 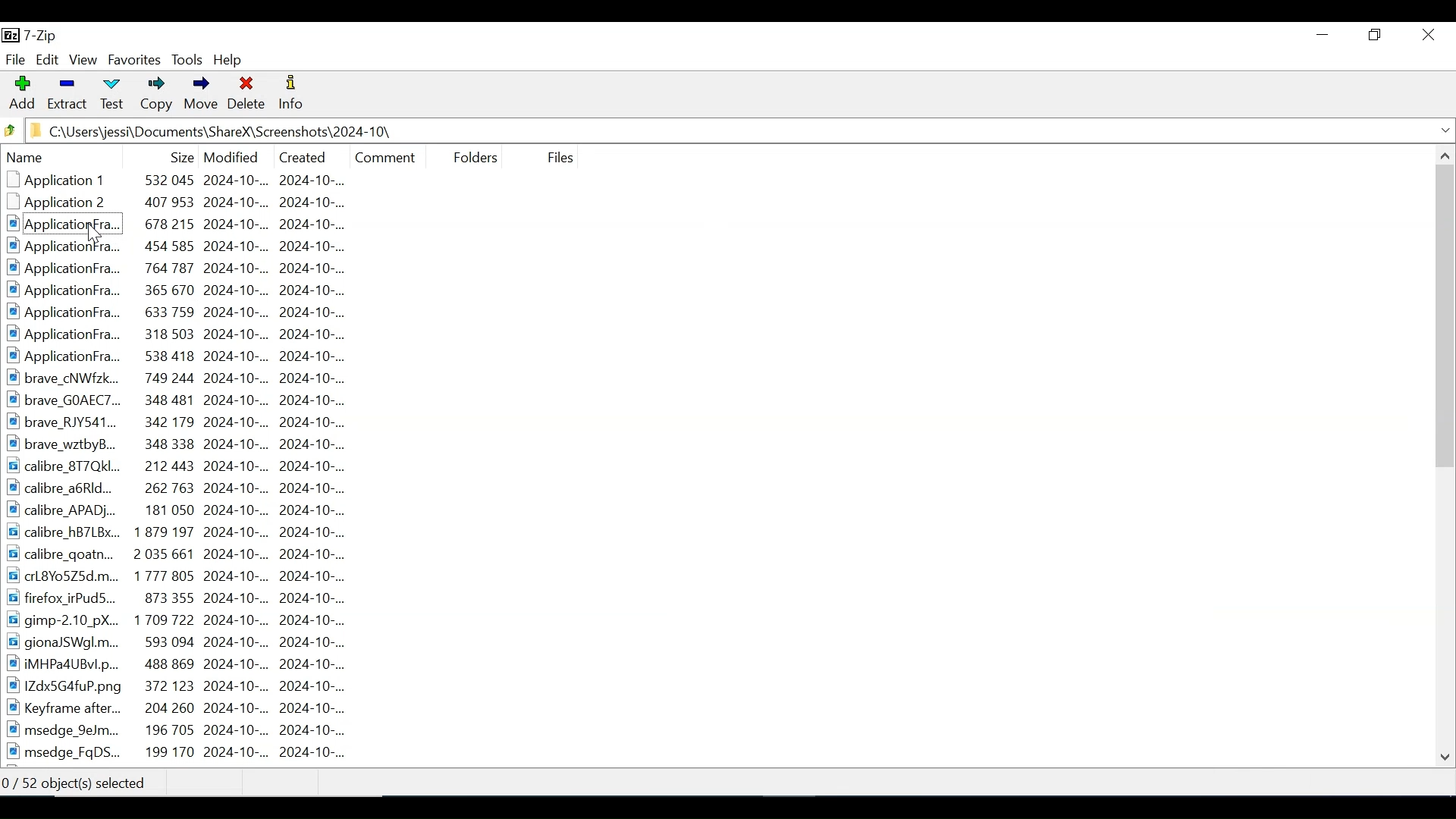 What do you see at coordinates (199, 96) in the screenshot?
I see `Move` at bounding box center [199, 96].